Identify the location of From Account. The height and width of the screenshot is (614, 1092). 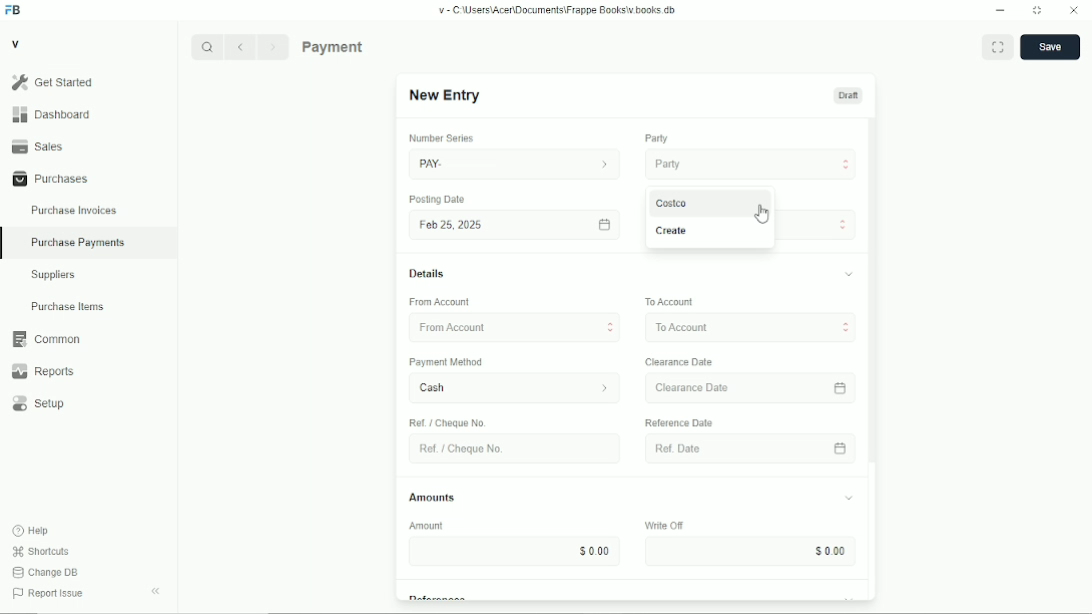
(508, 325).